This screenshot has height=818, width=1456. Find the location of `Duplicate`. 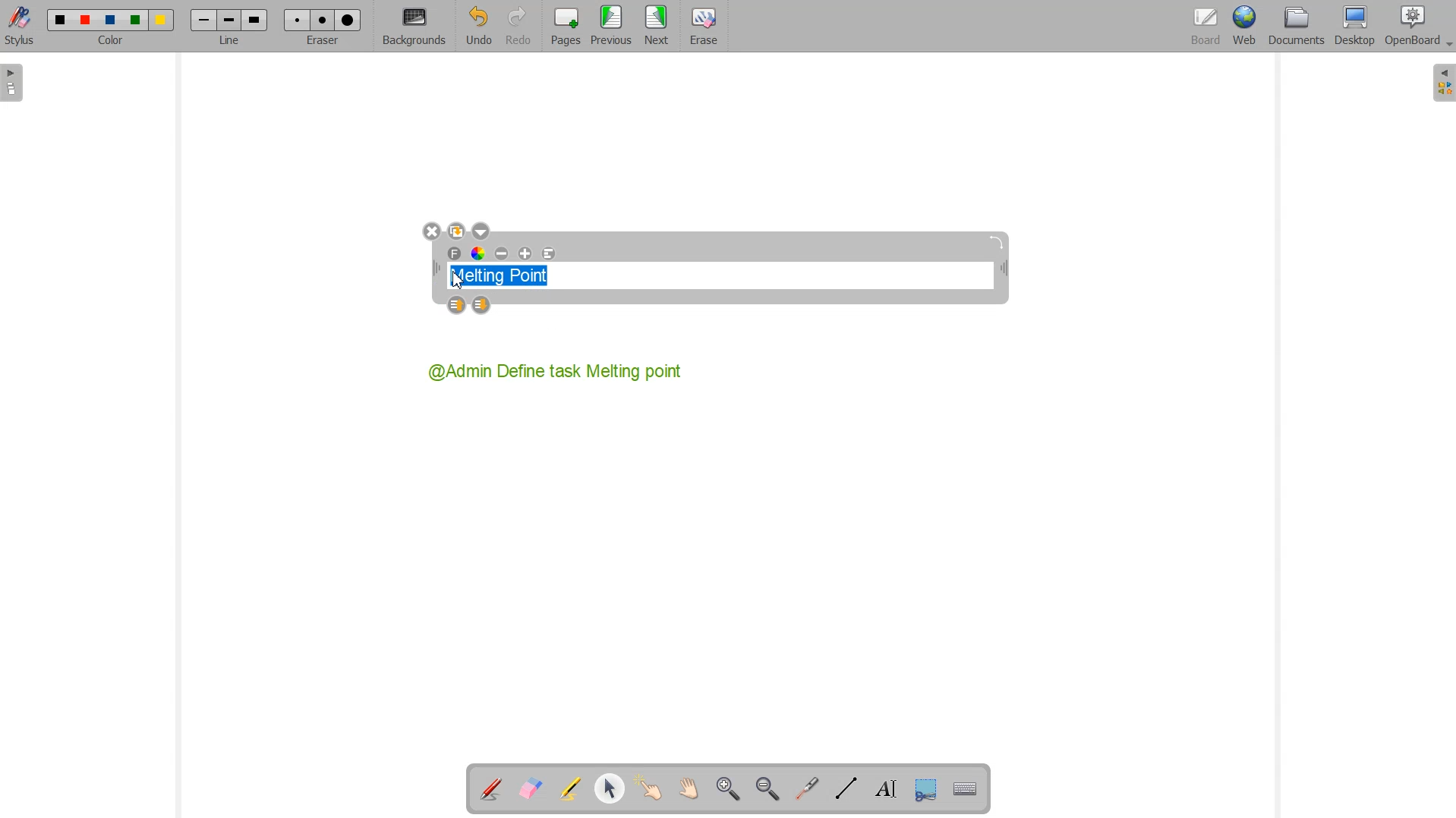

Duplicate is located at coordinates (456, 231).